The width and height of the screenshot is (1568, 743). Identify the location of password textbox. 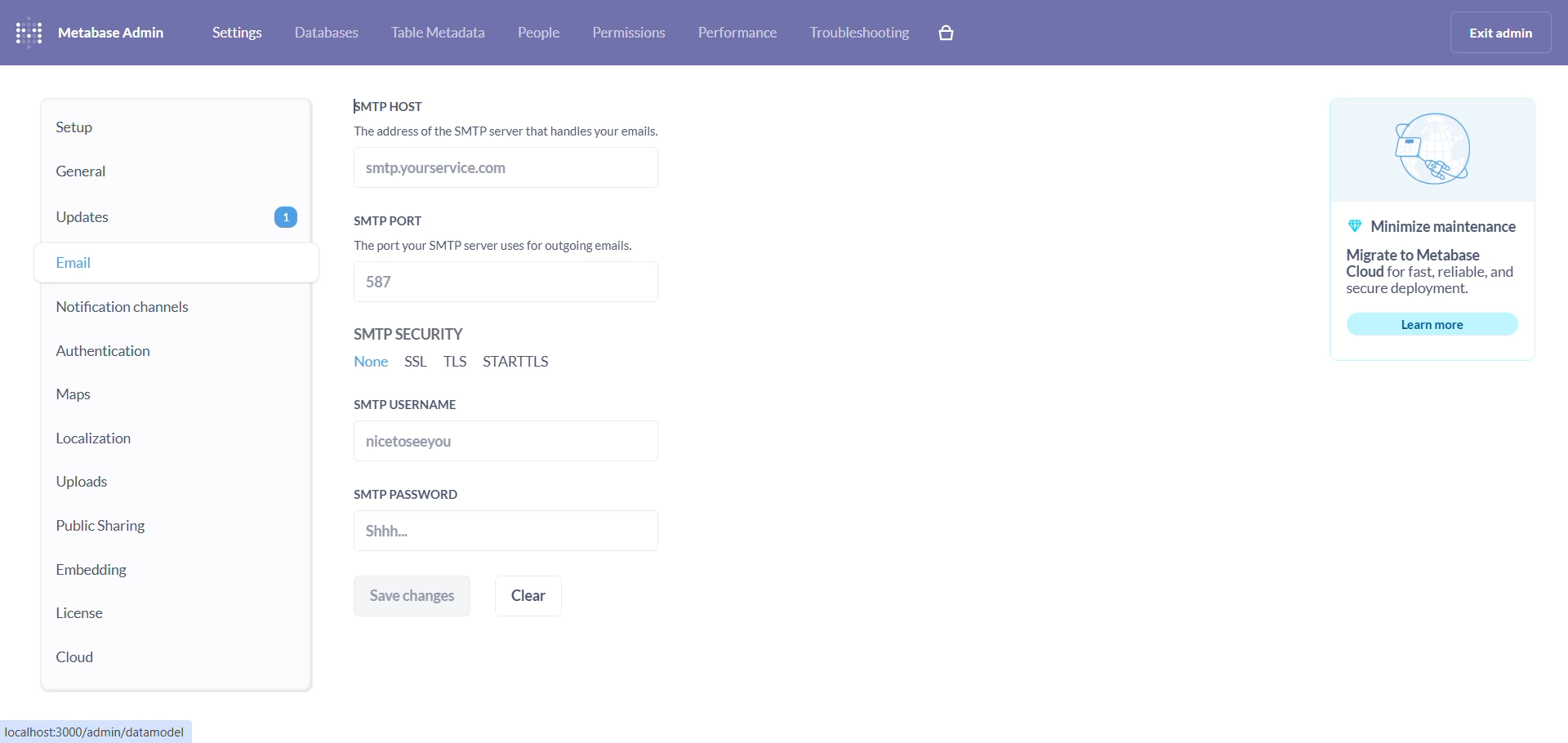
(477, 536).